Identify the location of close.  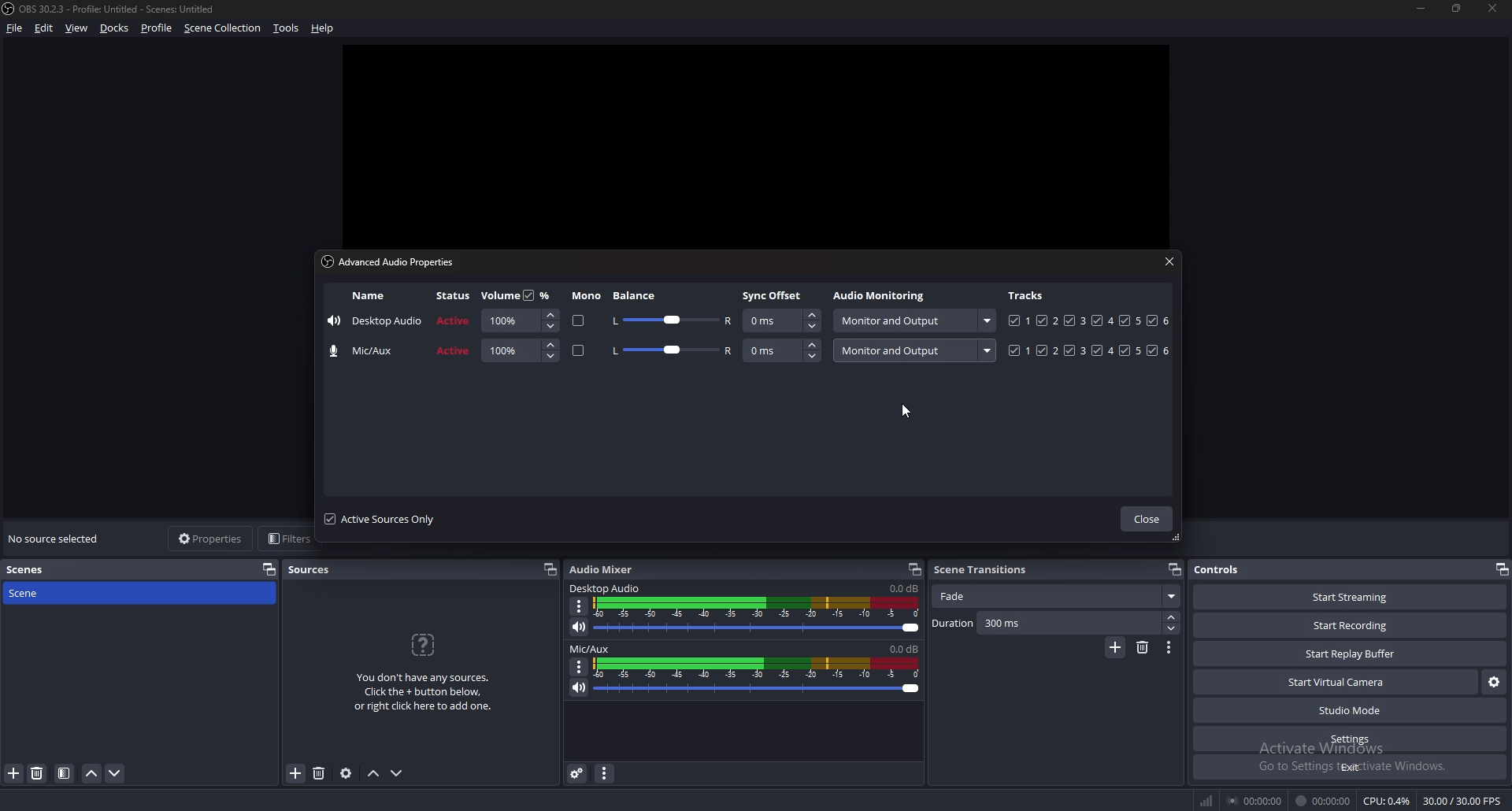
(1492, 6).